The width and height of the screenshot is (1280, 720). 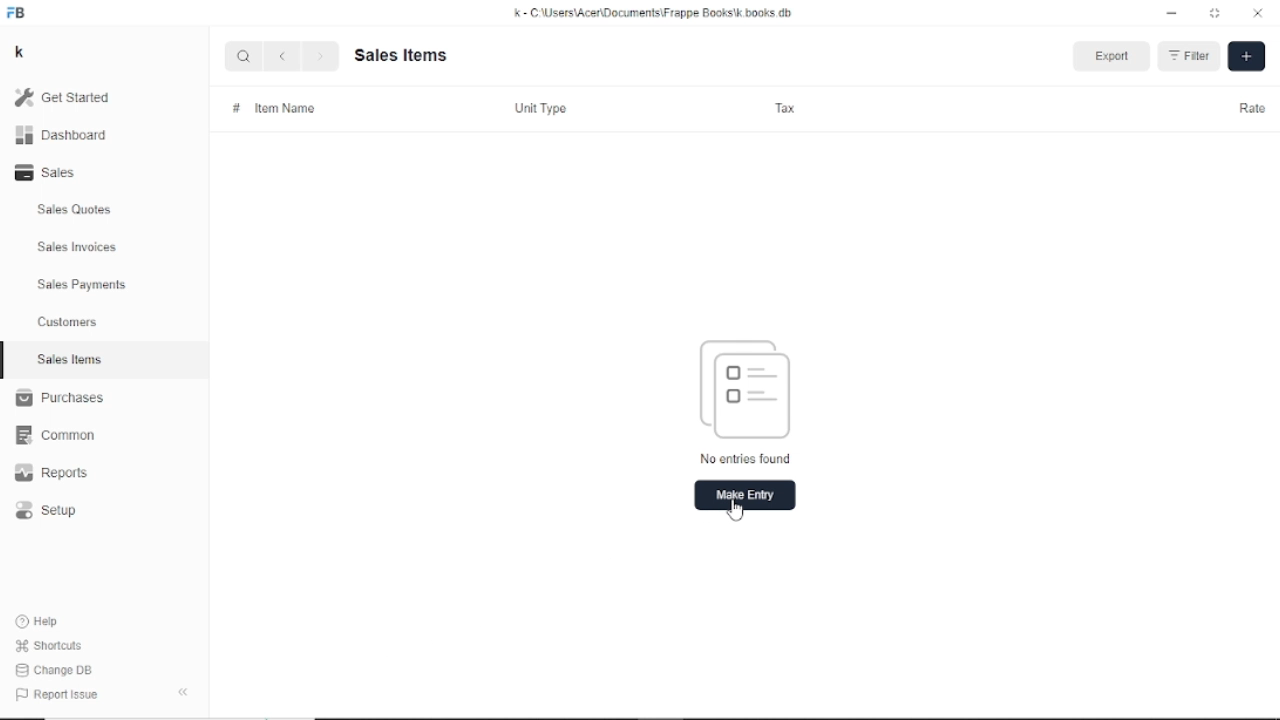 What do you see at coordinates (752, 400) in the screenshot?
I see `No entries found` at bounding box center [752, 400].